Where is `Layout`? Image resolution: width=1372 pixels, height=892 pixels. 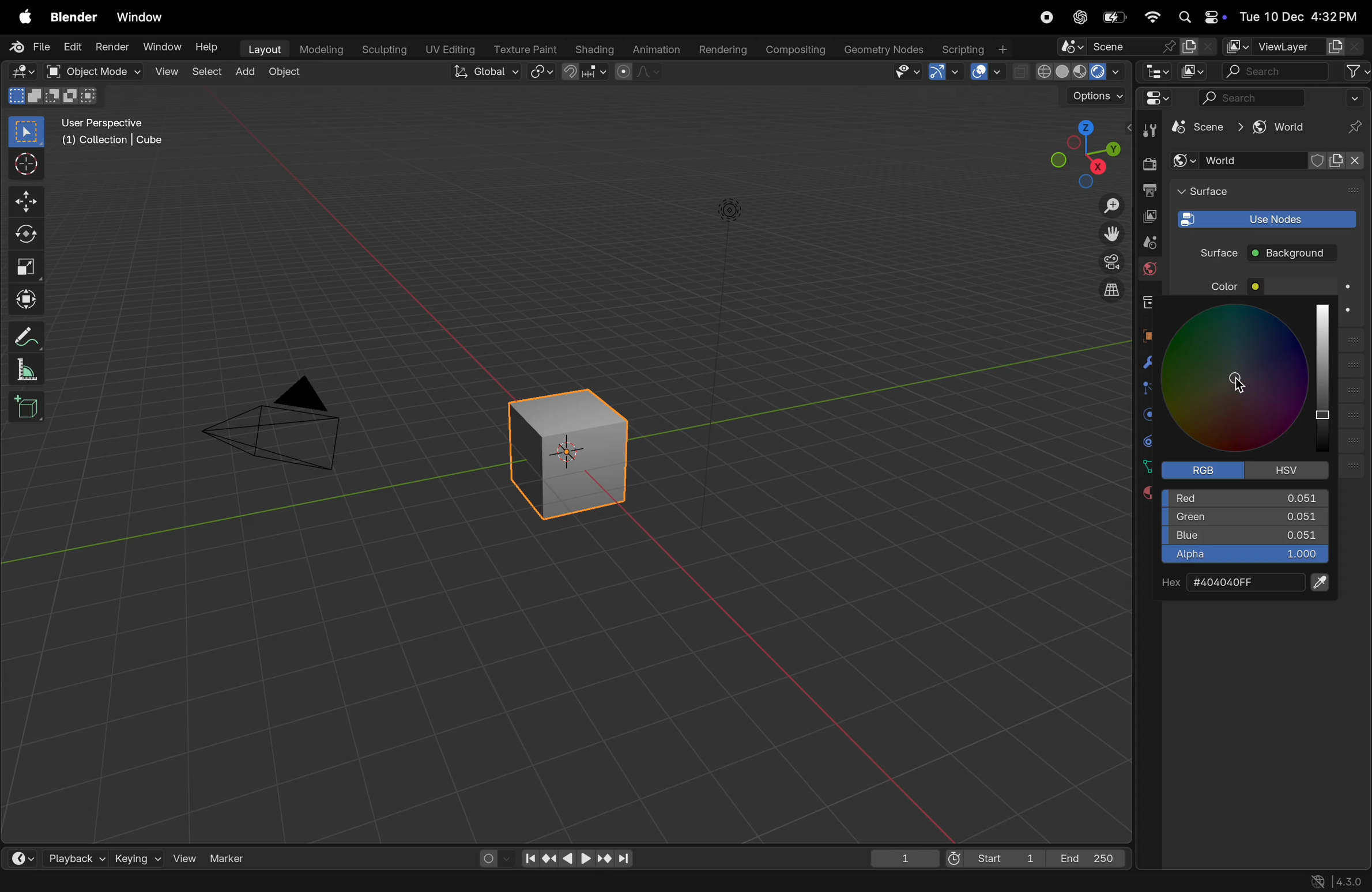 Layout is located at coordinates (262, 49).